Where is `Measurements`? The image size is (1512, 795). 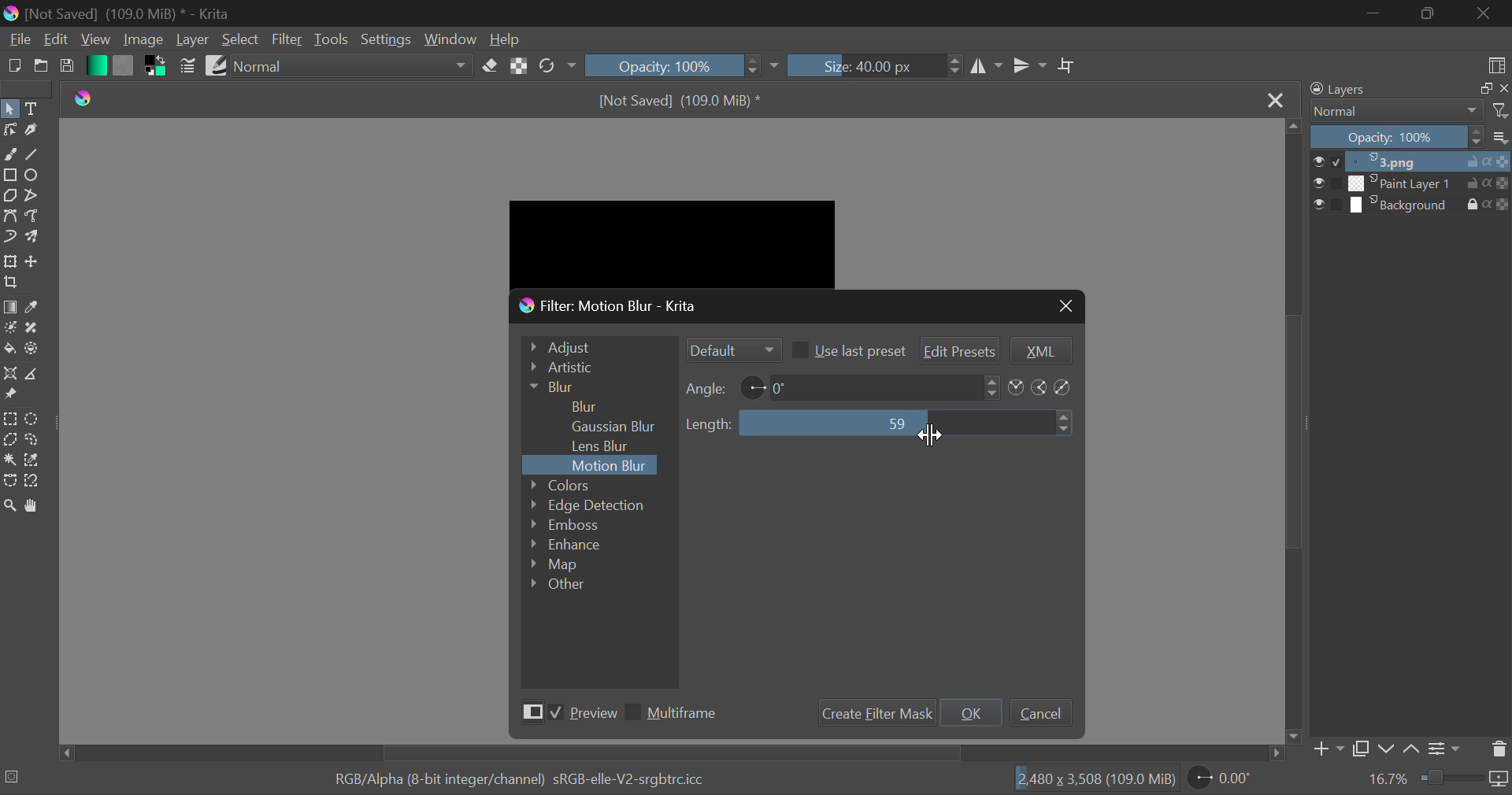 Measurements is located at coordinates (36, 374).